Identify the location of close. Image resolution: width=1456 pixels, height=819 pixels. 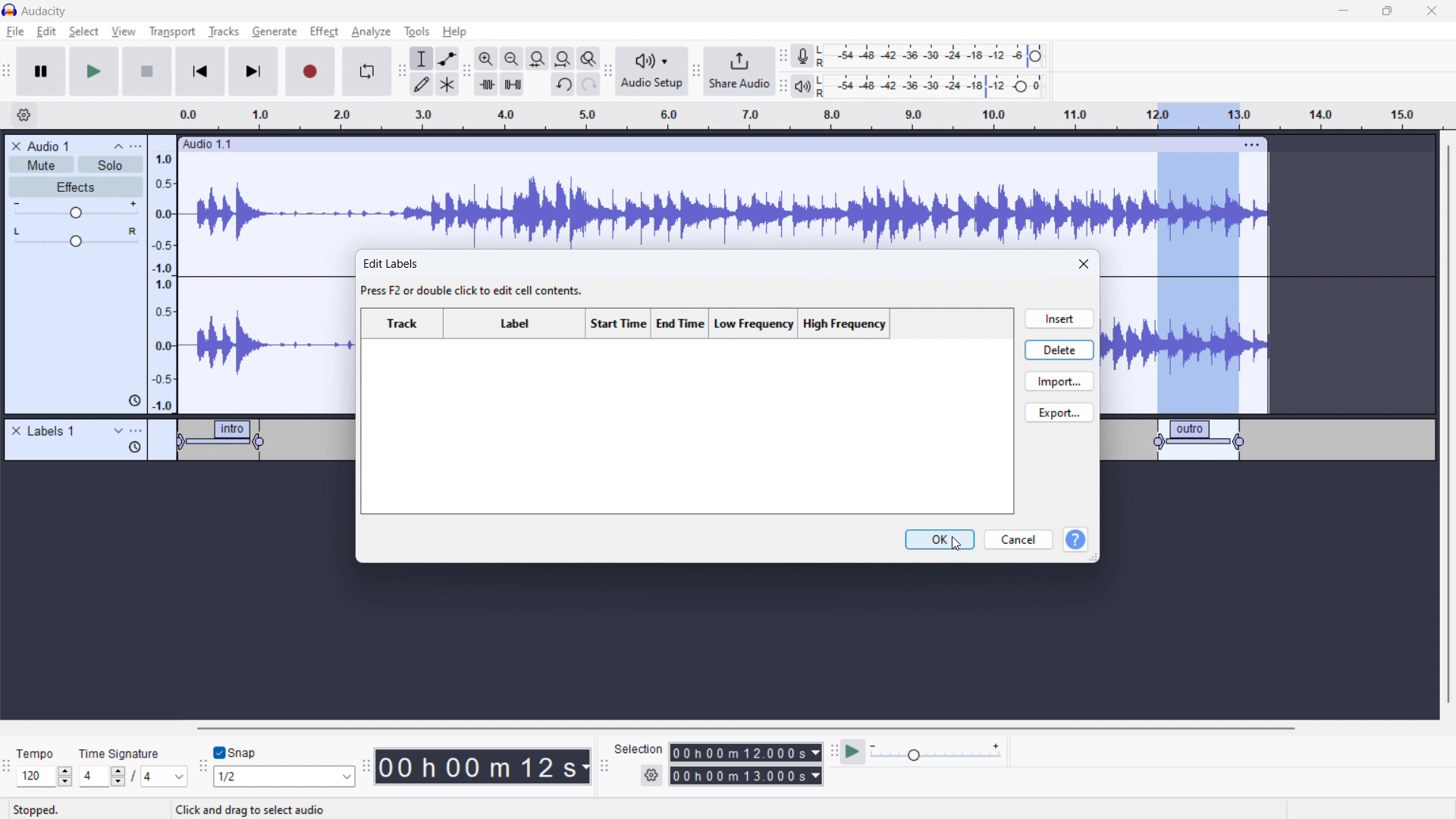
(1085, 265).